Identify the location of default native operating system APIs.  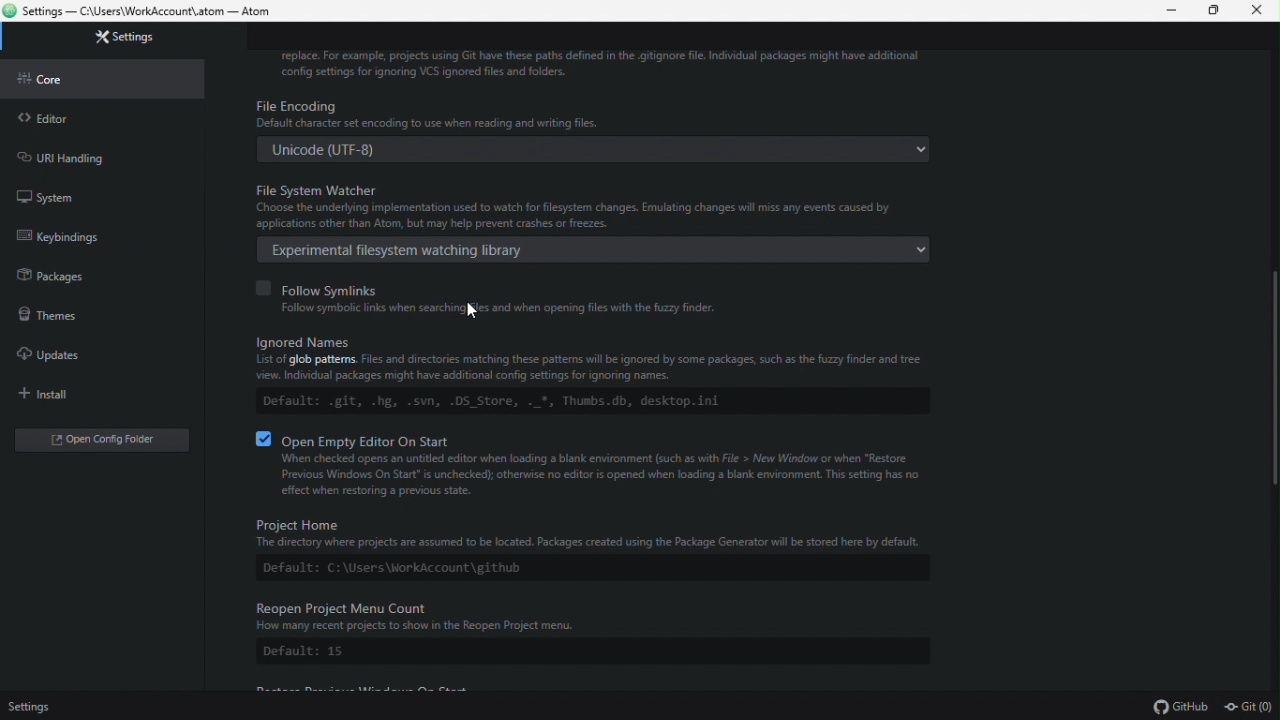
(127, 246).